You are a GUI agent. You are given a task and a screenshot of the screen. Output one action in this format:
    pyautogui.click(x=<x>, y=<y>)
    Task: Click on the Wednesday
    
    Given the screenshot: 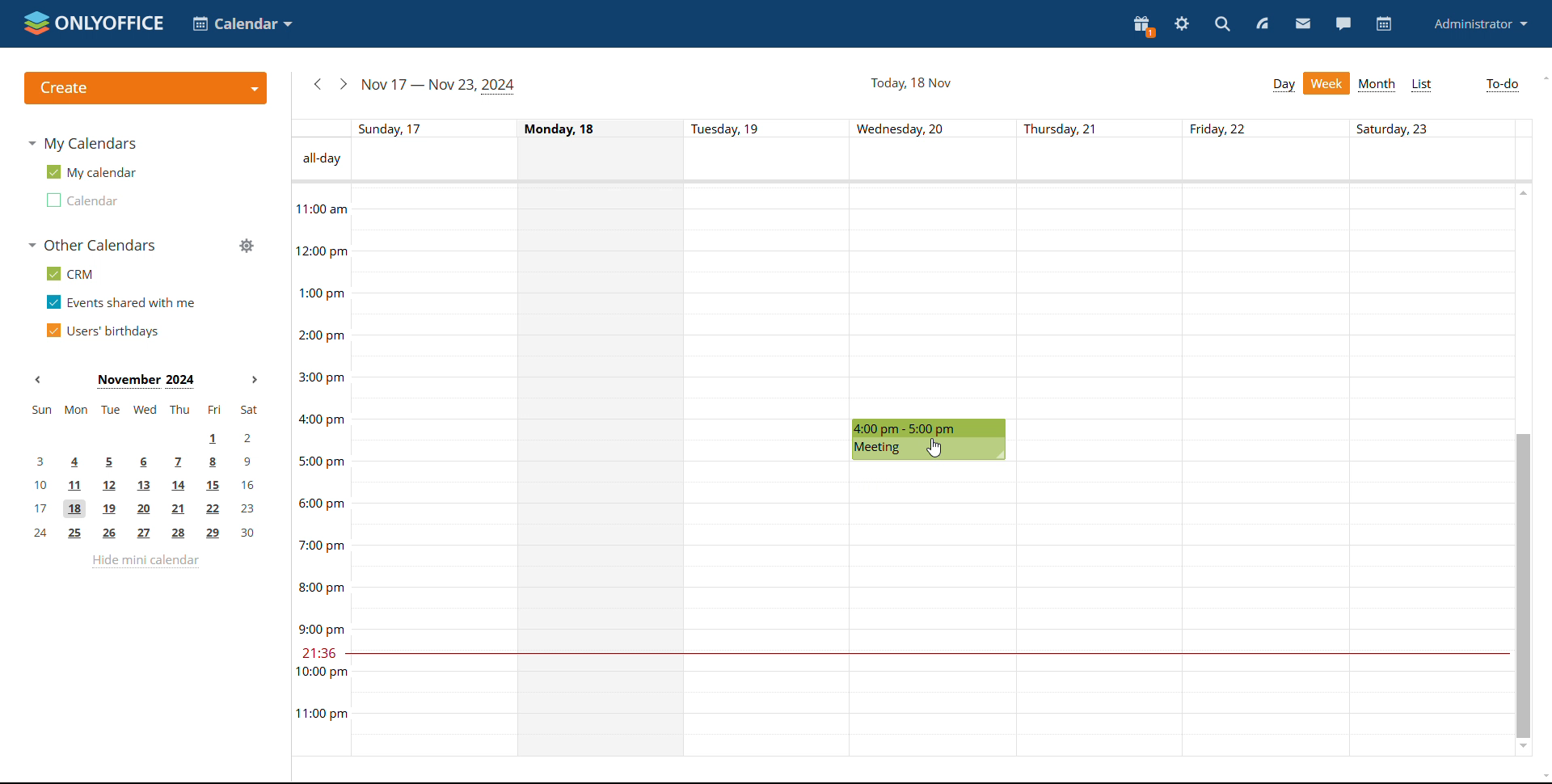 What is the action you would take?
    pyautogui.click(x=934, y=300)
    